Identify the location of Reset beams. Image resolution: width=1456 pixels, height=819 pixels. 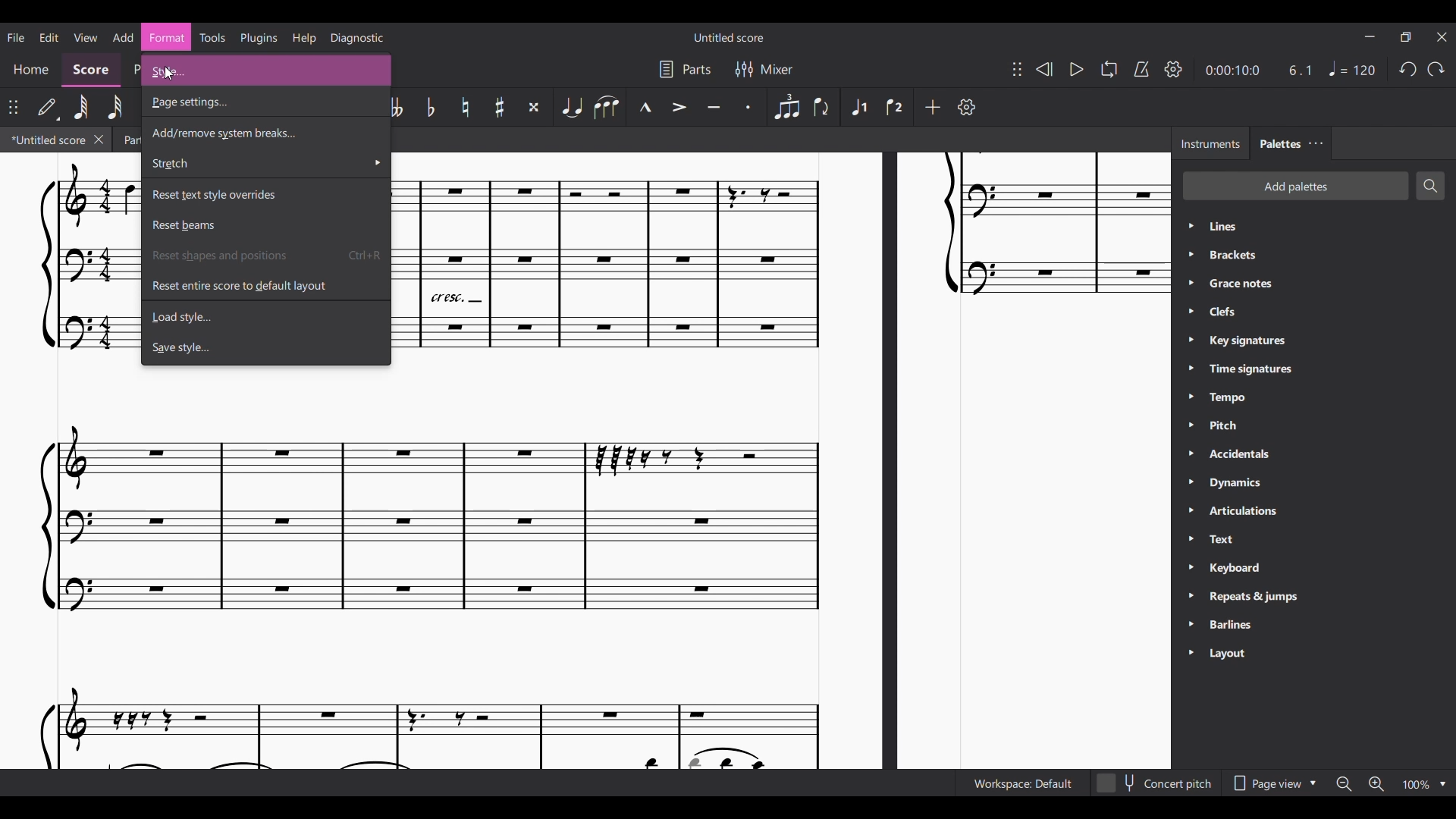
(265, 225).